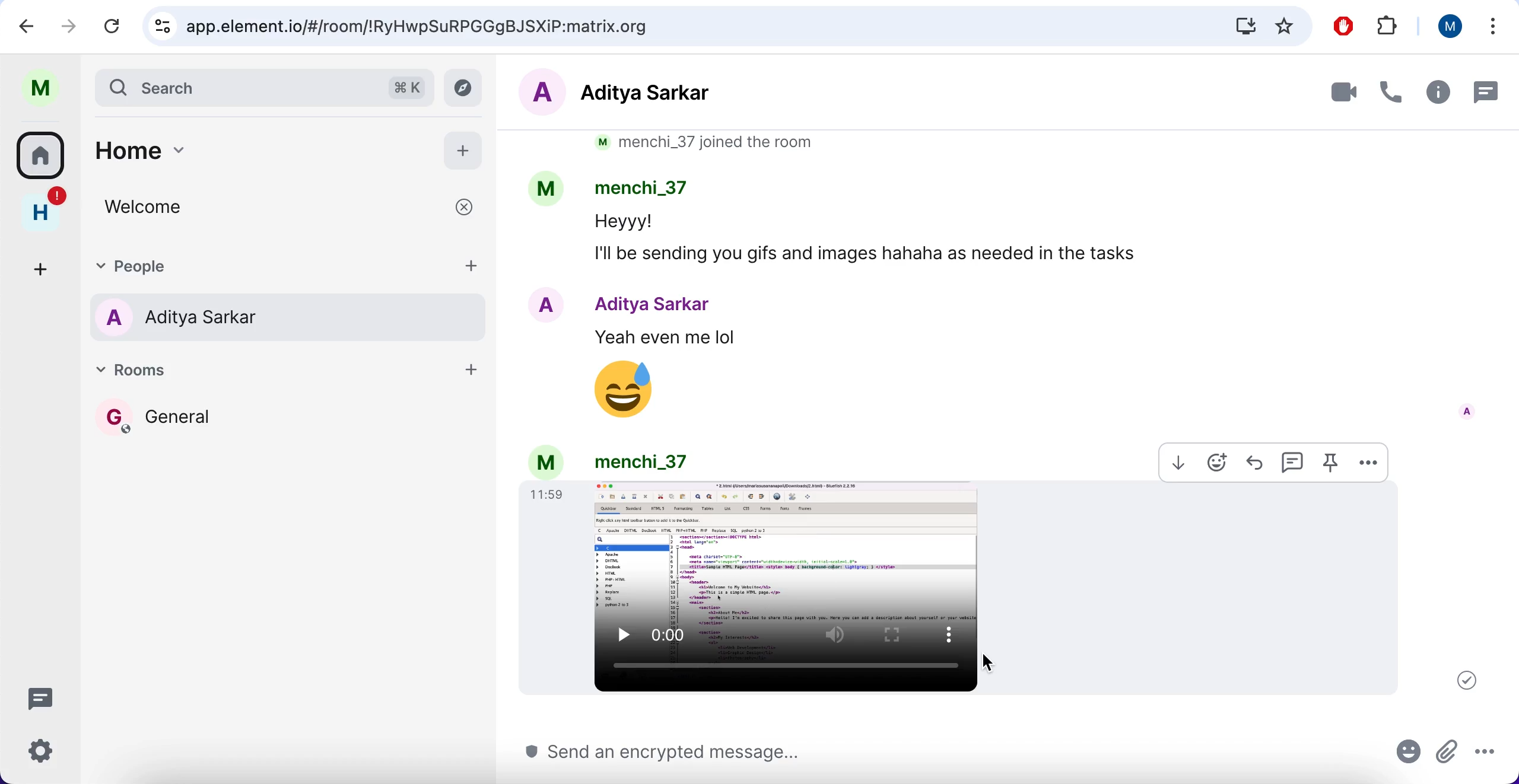 This screenshot has width=1519, height=784. What do you see at coordinates (471, 372) in the screenshot?
I see `add room` at bounding box center [471, 372].